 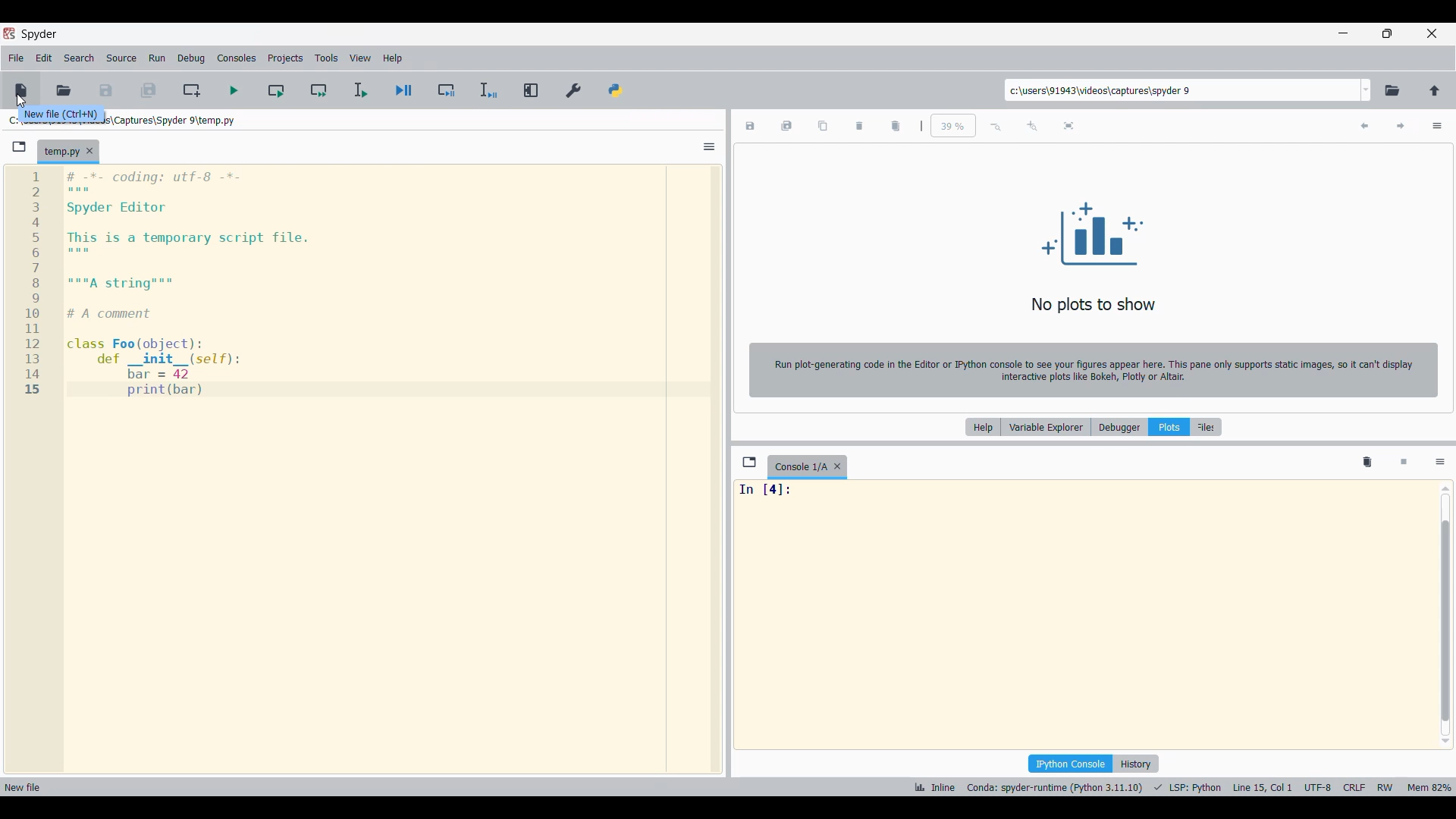 I want to click on new file, so click(x=28, y=787).